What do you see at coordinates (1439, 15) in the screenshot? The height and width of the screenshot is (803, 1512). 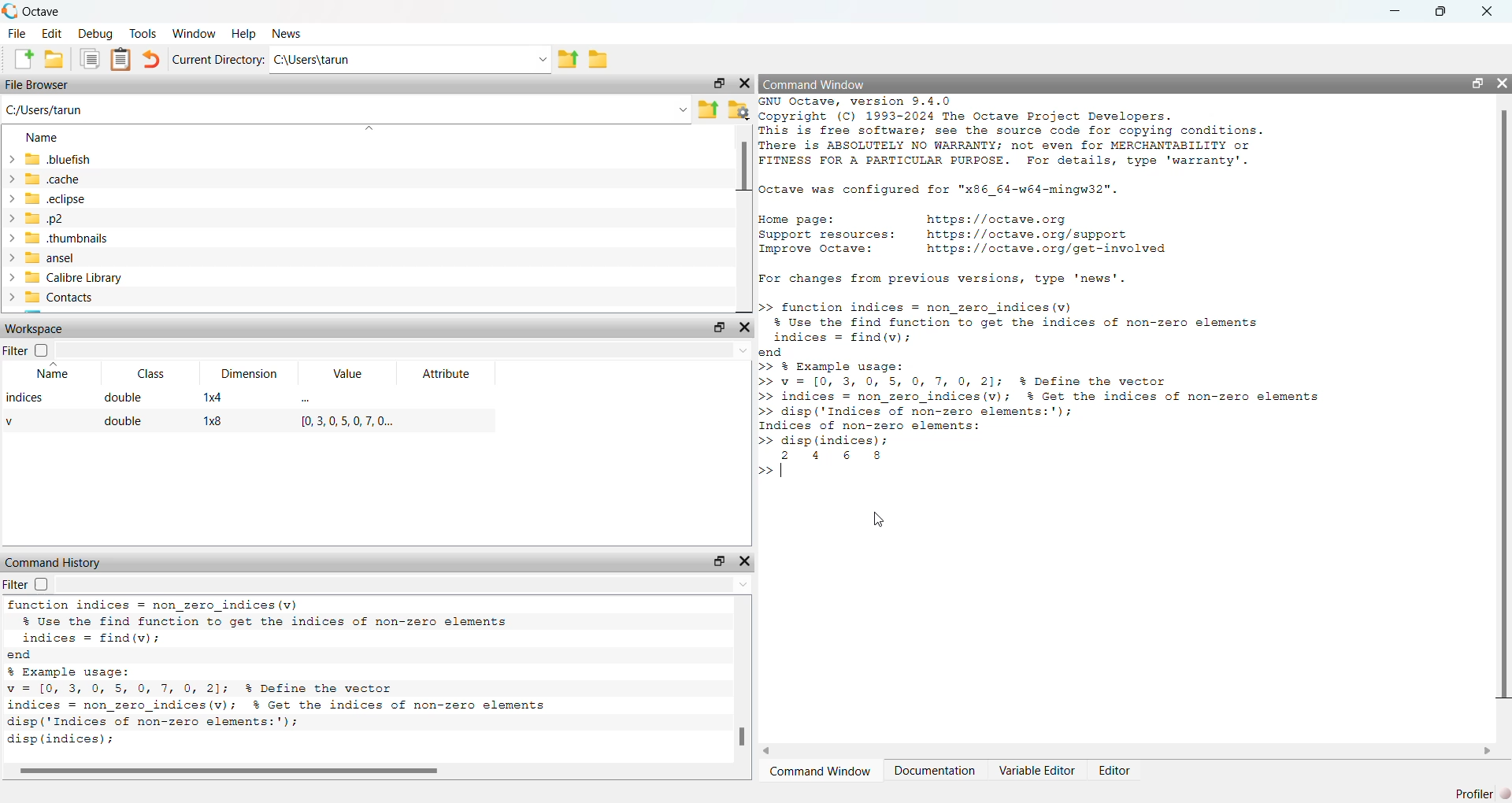 I see `restore down` at bounding box center [1439, 15].